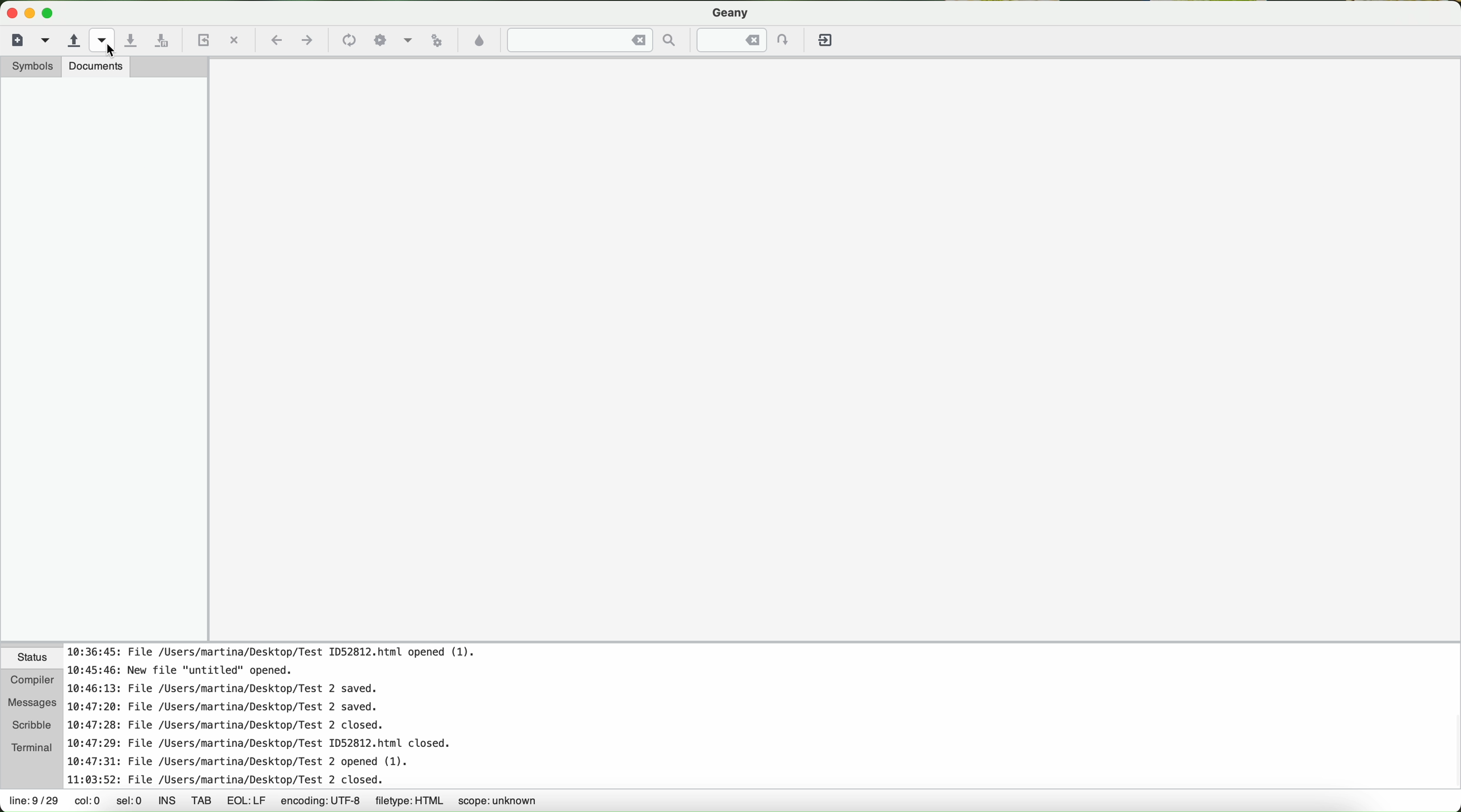 This screenshot has height=812, width=1461. What do you see at coordinates (30, 704) in the screenshot?
I see `messages` at bounding box center [30, 704].